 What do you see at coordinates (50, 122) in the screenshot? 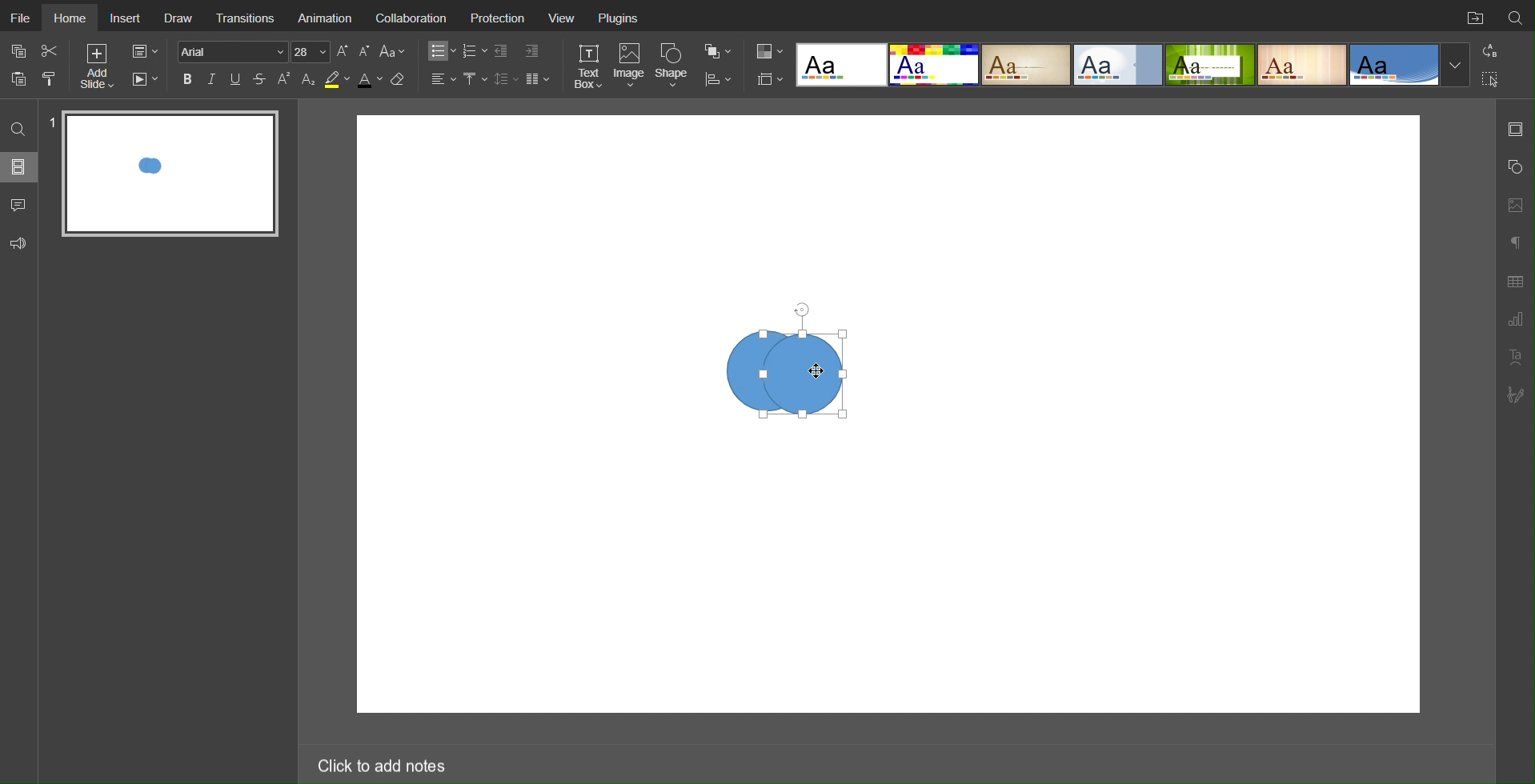
I see `slide number` at bounding box center [50, 122].